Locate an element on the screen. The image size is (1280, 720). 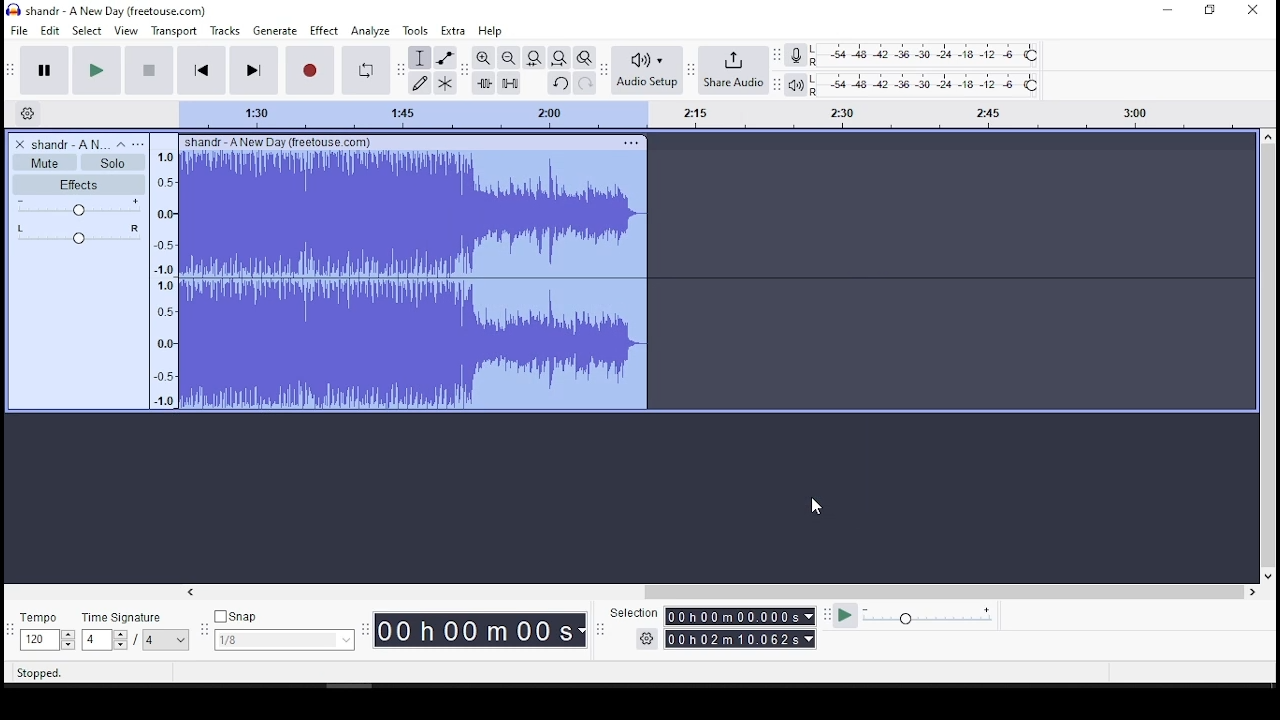
Stopped is located at coordinates (40, 673).